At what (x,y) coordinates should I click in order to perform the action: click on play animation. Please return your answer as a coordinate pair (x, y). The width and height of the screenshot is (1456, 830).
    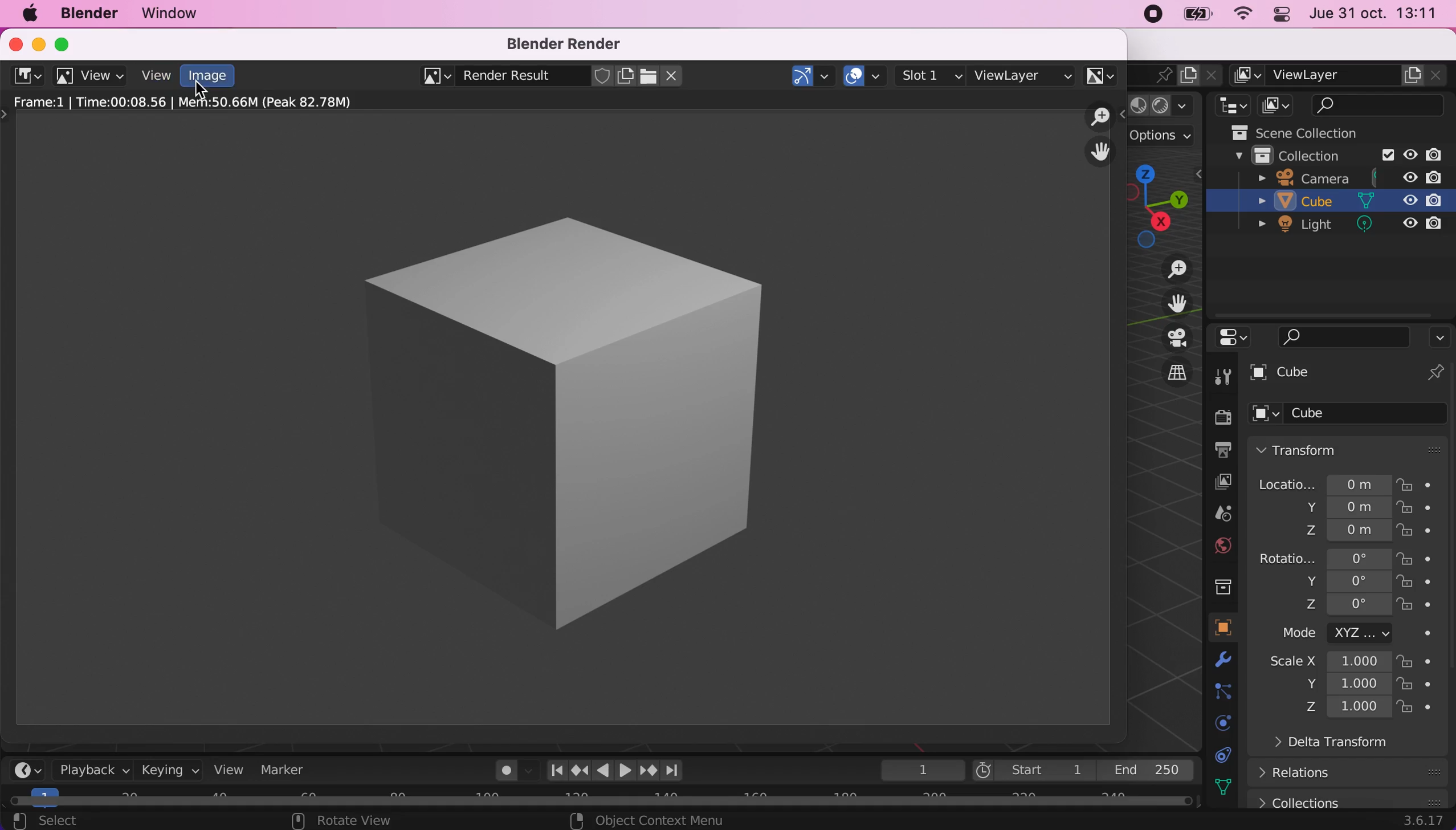
    Looking at the image, I should click on (602, 770).